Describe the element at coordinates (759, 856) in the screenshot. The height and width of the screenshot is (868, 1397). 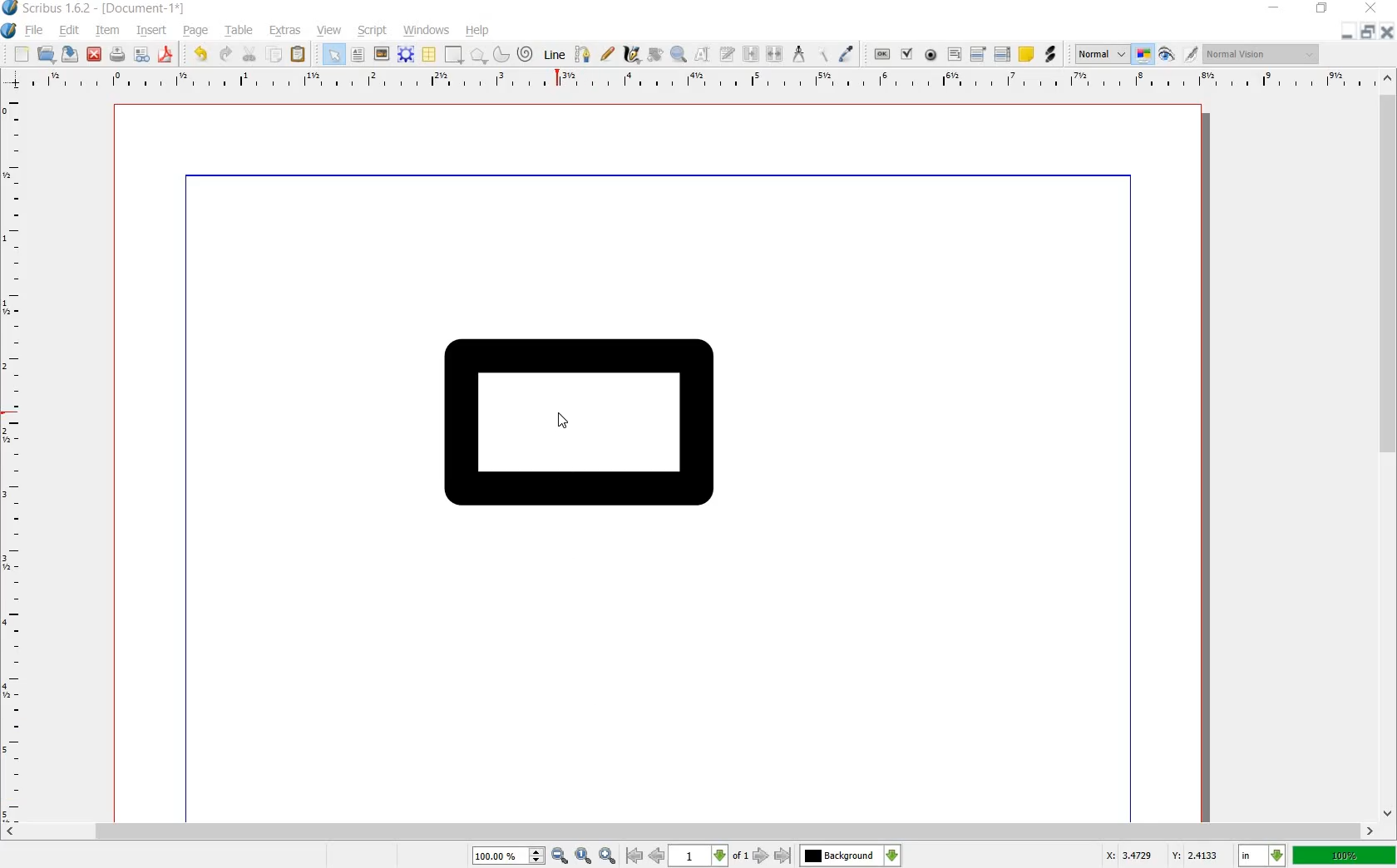
I see `next page` at that location.